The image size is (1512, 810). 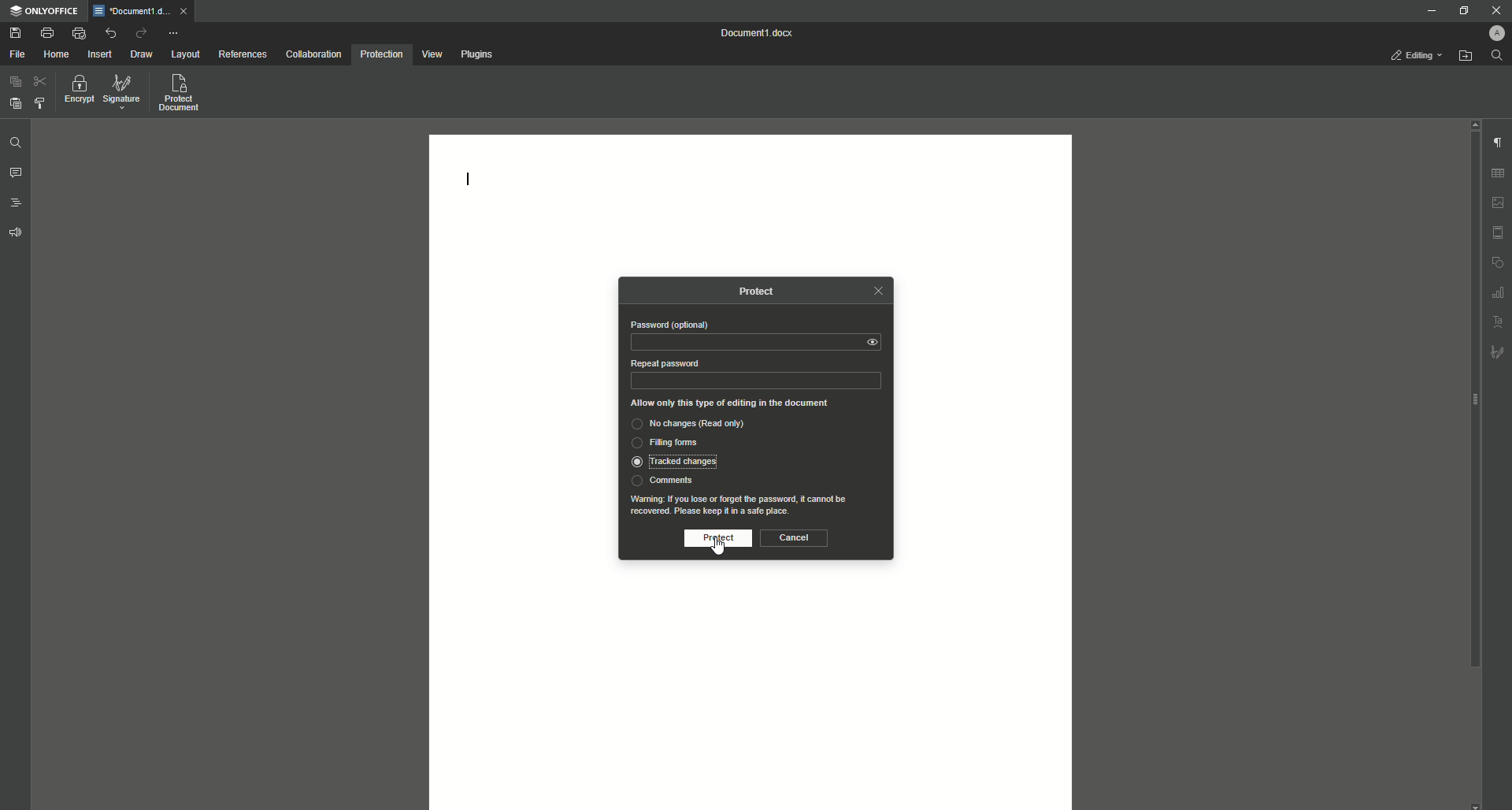 What do you see at coordinates (1473, 804) in the screenshot?
I see `scroll down` at bounding box center [1473, 804].